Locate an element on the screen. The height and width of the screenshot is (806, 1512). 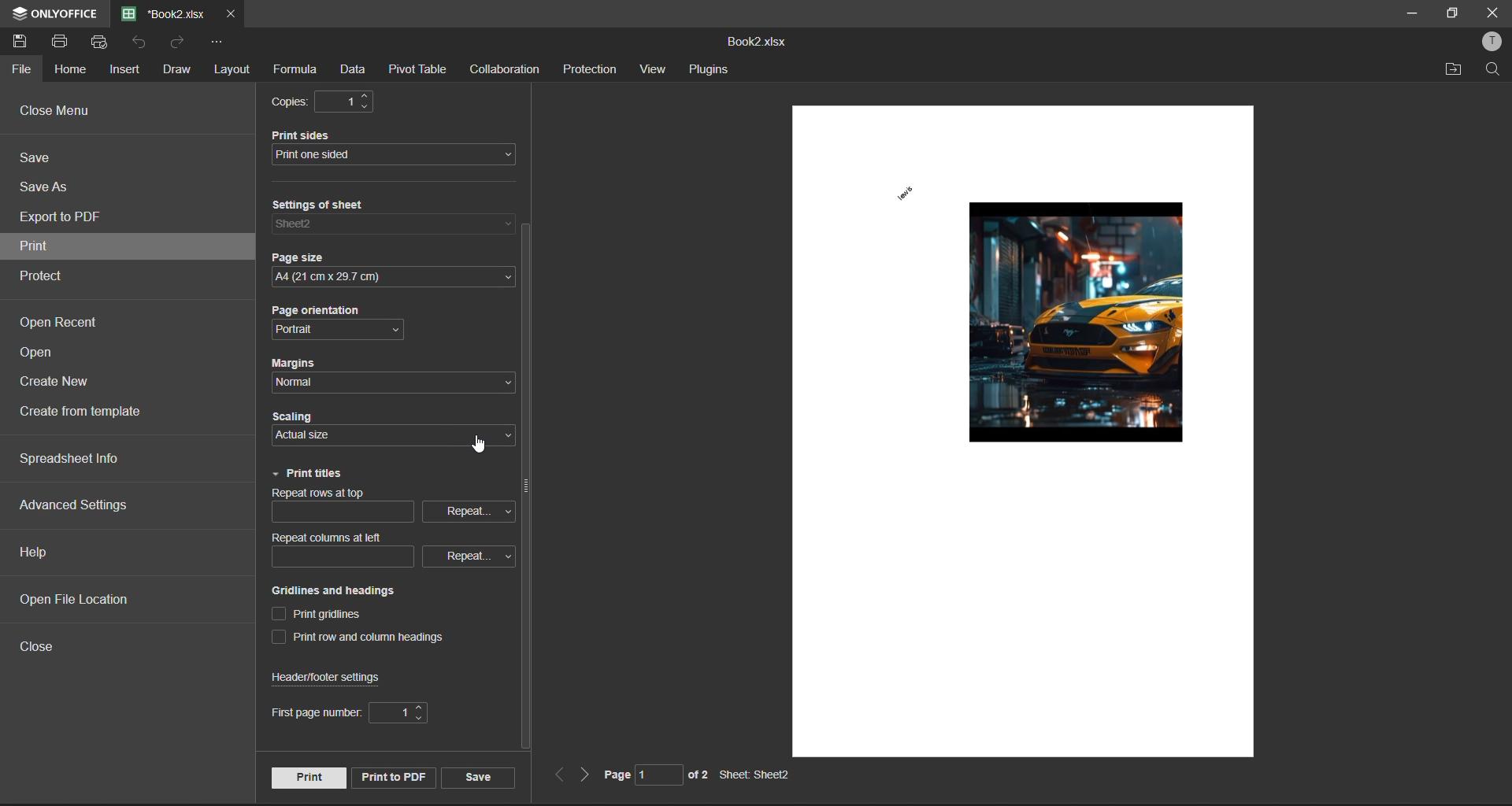
out of page  is located at coordinates (698, 774).